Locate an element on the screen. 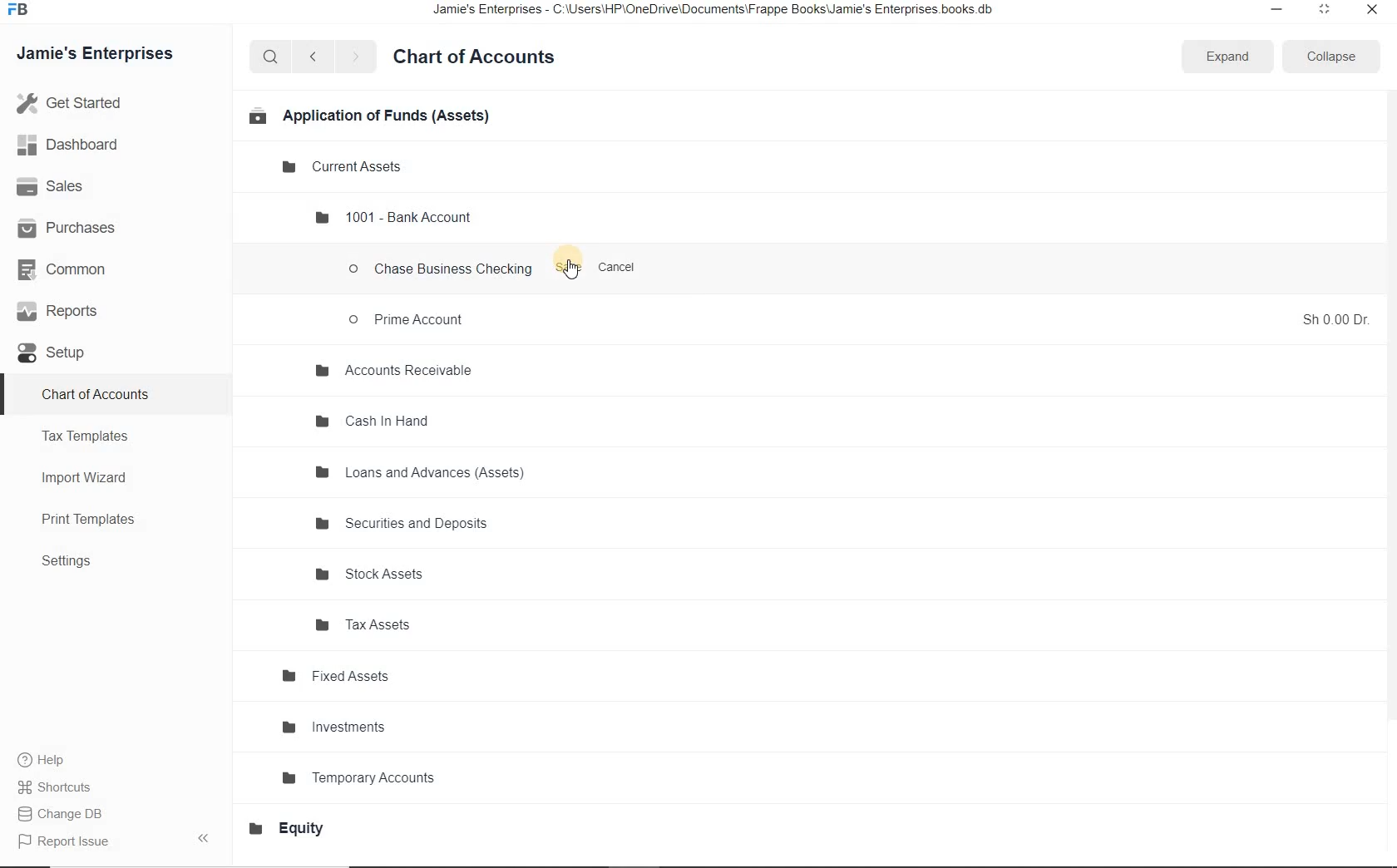 This screenshot has height=868, width=1397. Cancel is located at coordinates (620, 269).